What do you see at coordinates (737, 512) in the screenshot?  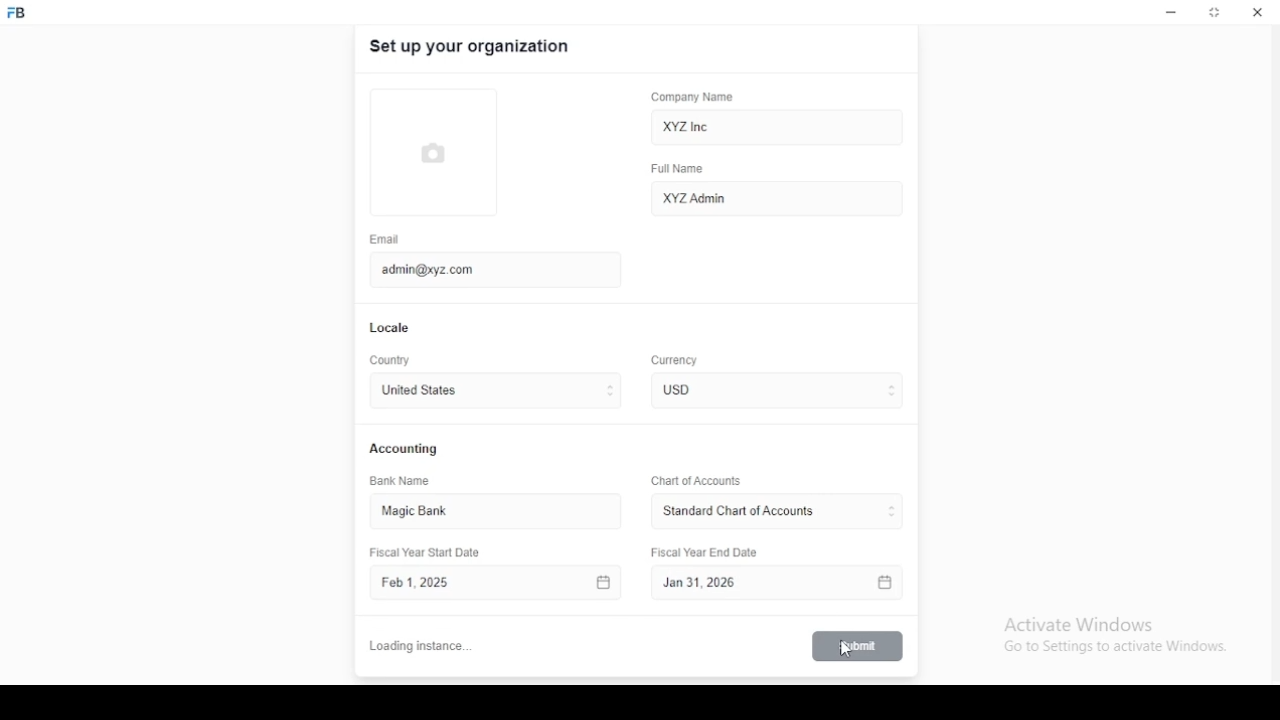 I see `L ‘Standard Chart of Accounts` at bounding box center [737, 512].